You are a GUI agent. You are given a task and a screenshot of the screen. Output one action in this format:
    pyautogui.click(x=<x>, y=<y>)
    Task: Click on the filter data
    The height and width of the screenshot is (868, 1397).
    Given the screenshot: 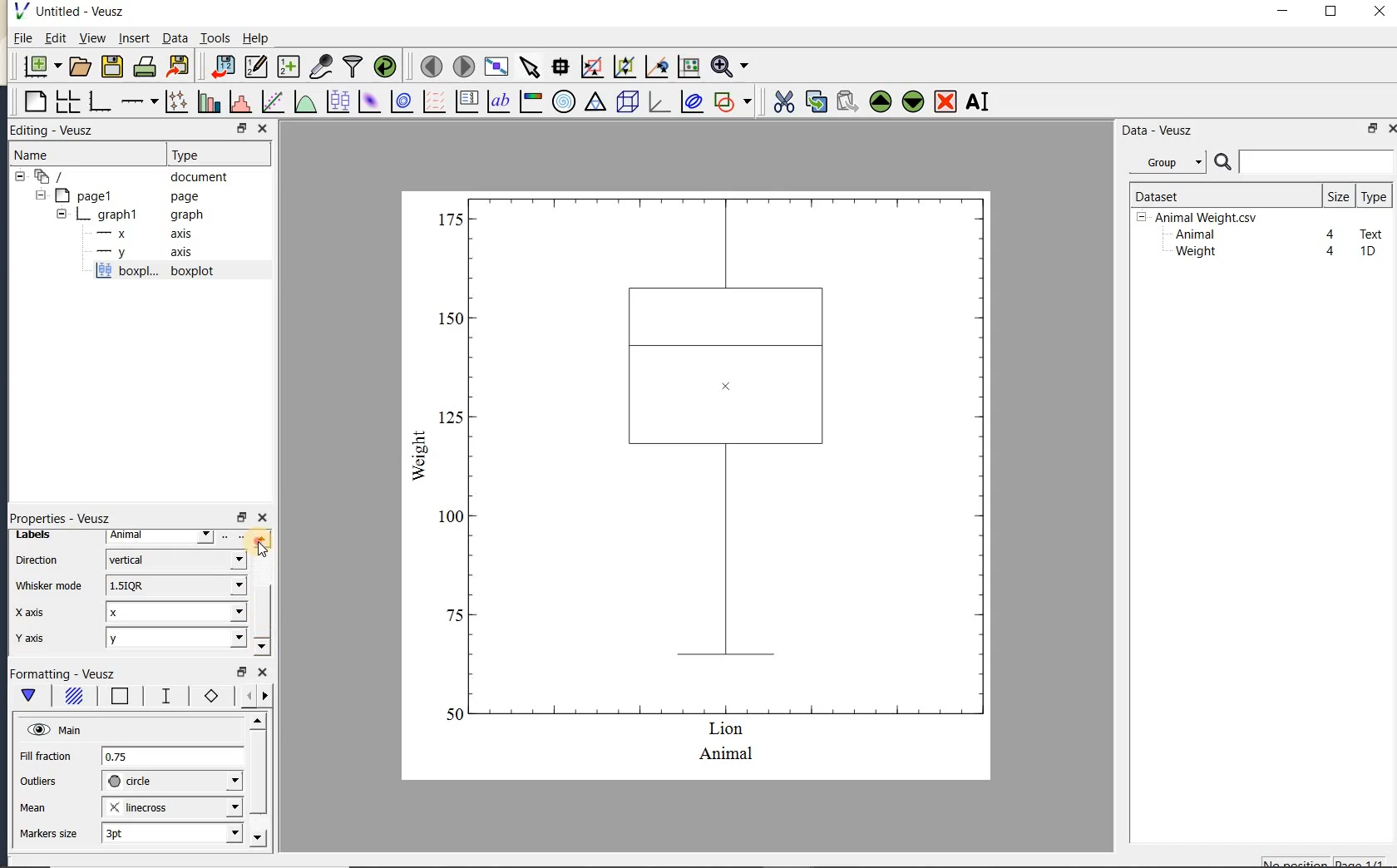 What is the action you would take?
    pyautogui.click(x=353, y=65)
    